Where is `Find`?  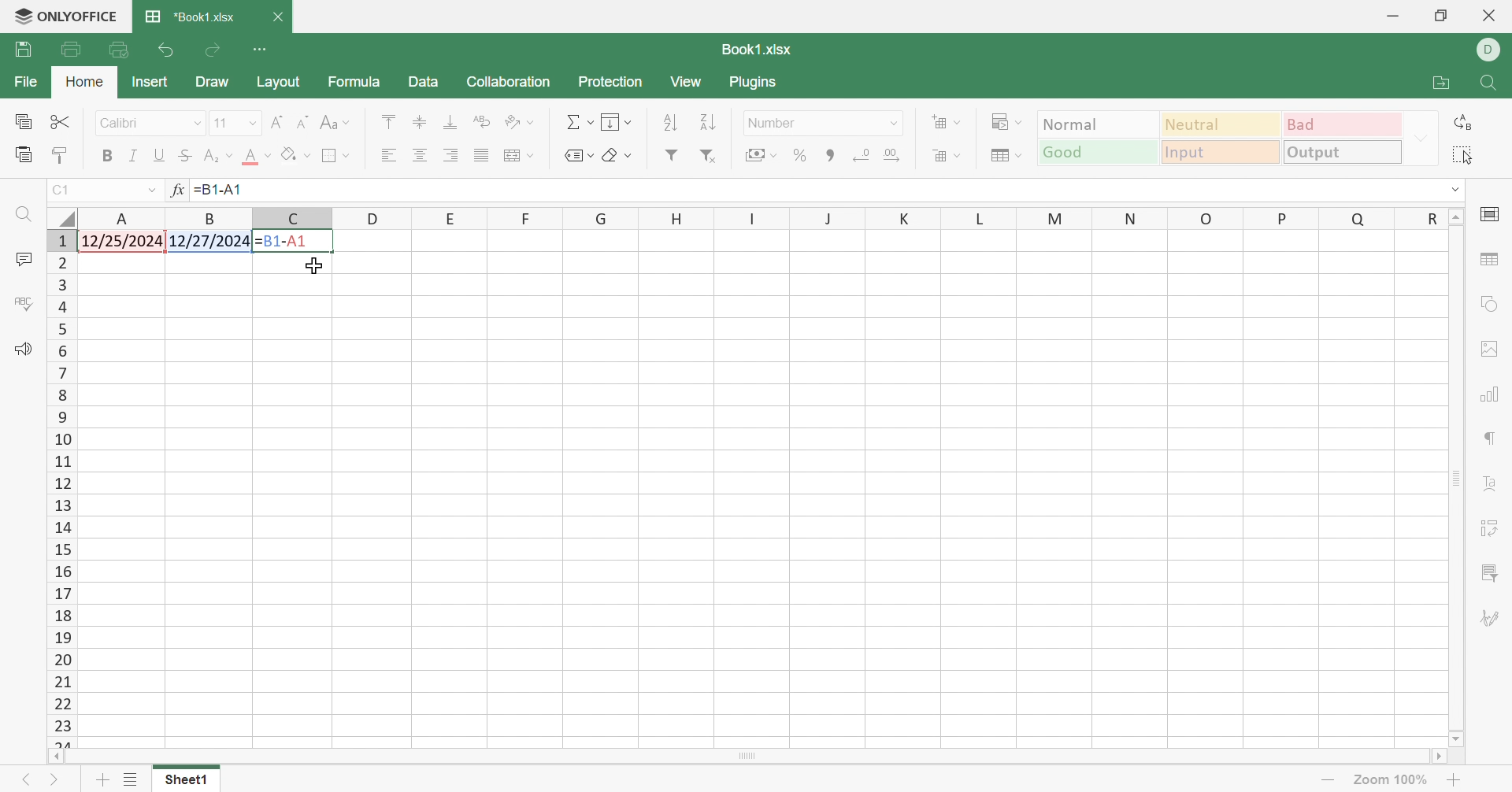 Find is located at coordinates (1490, 83).